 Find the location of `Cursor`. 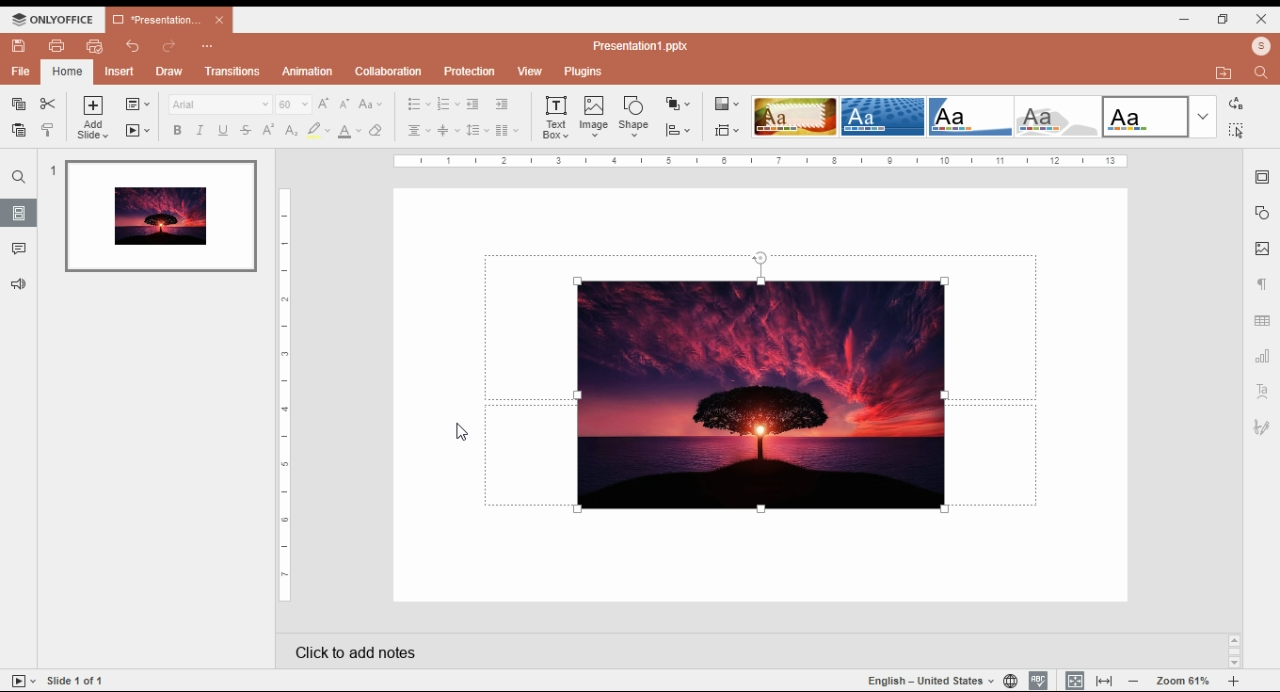

Cursor is located at coordinates (596, 128).